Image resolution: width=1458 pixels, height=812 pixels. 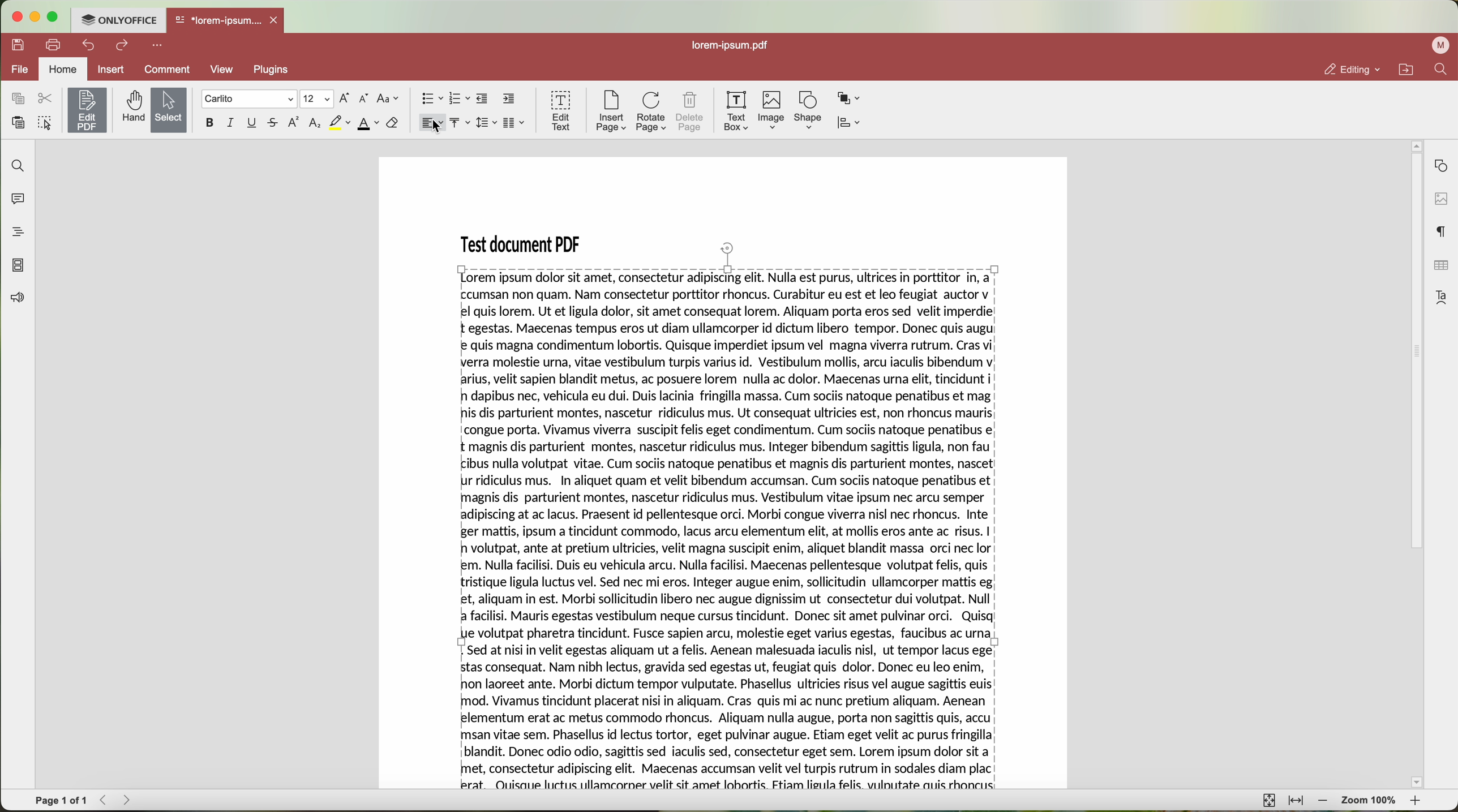 What do you see at coordinates (612, 112) in the screenshot?
I see `insert page` at bounding box center [612, 112].